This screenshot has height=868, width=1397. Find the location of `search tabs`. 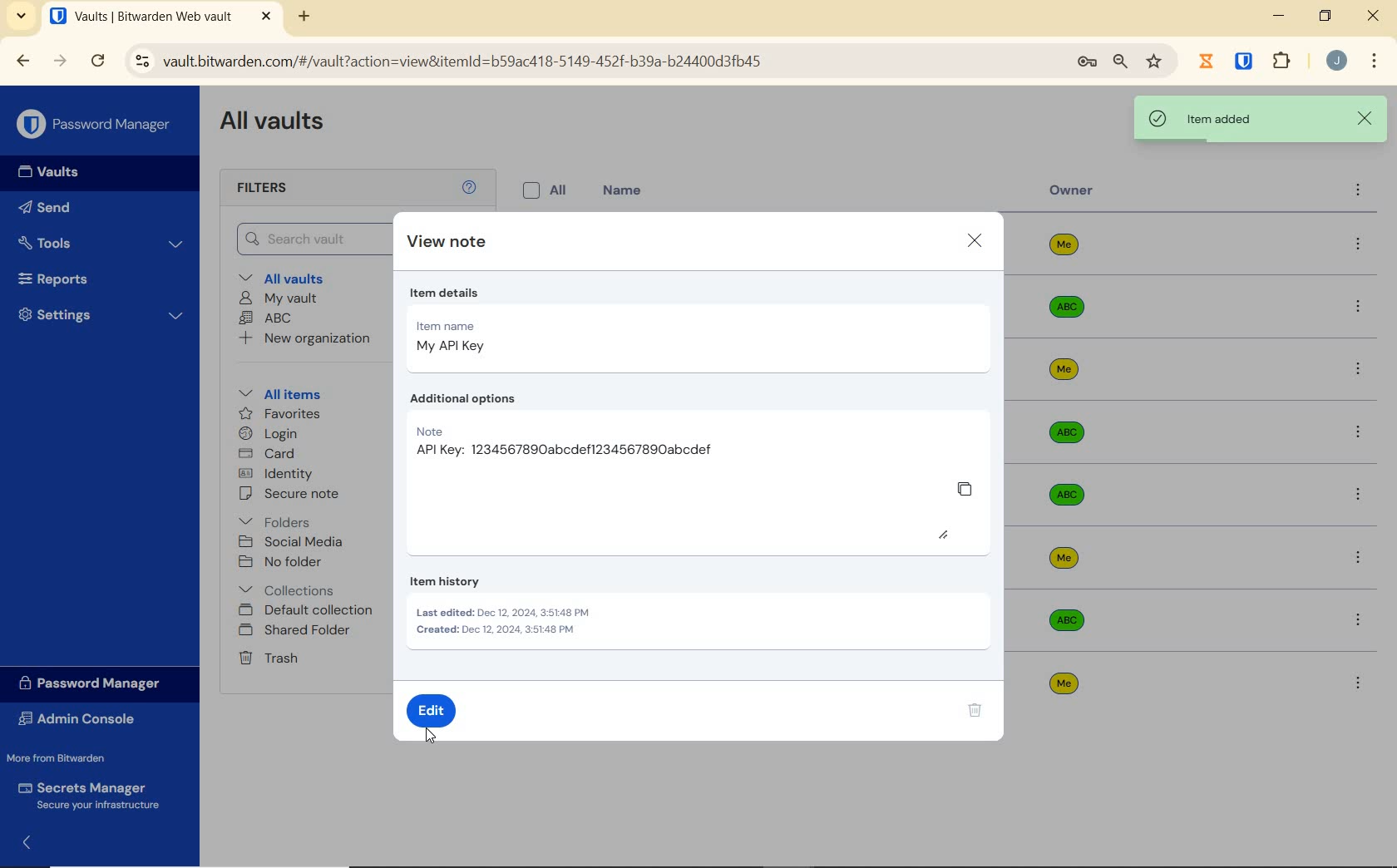

search tabs is located at coordinates (22, 16).